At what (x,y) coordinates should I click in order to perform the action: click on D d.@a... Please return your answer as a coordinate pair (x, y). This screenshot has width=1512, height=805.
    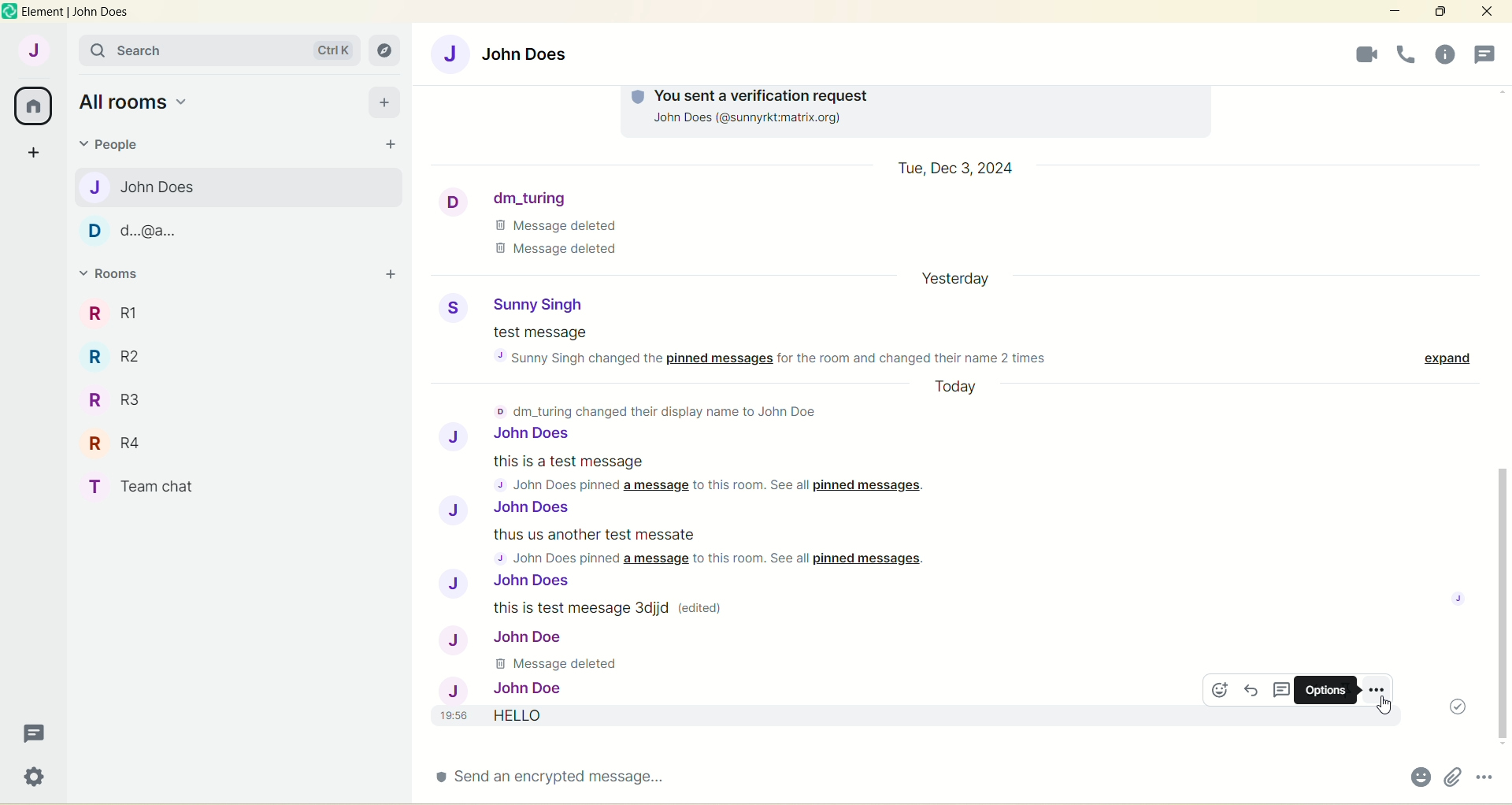
    Looking at the image, I should click on (134, 226).